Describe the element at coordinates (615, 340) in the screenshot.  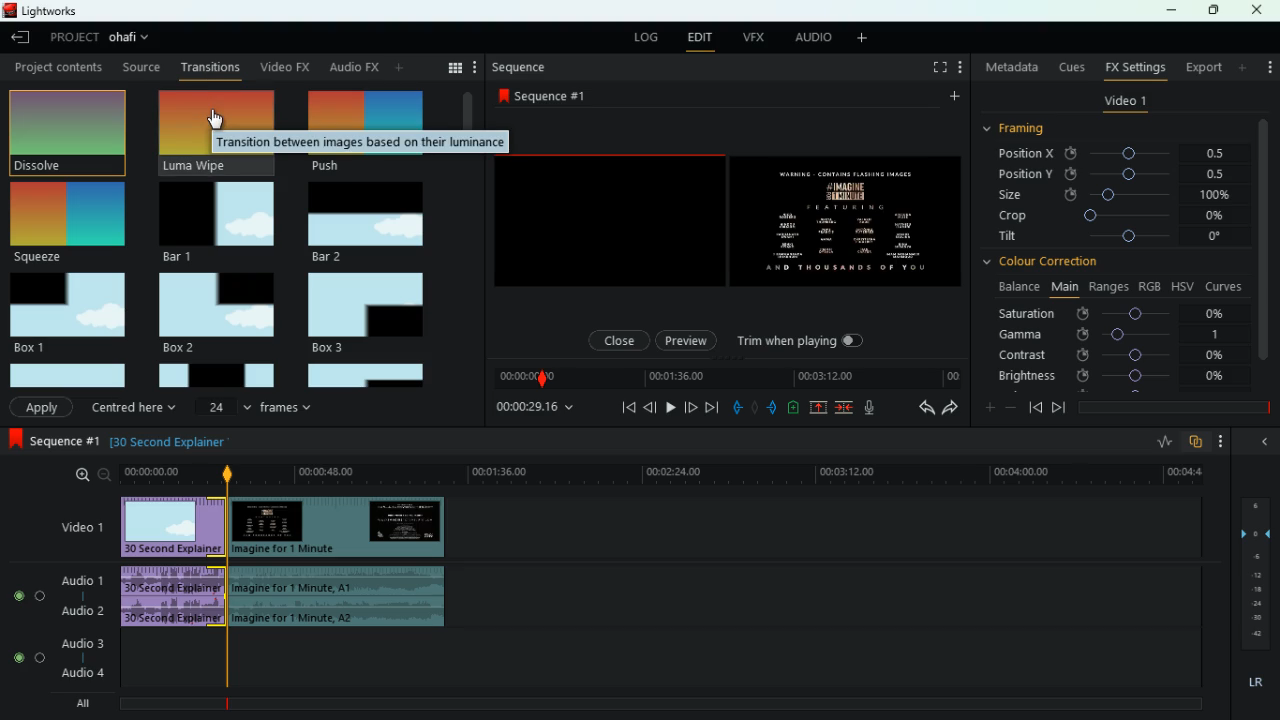
I see `close` at that location.